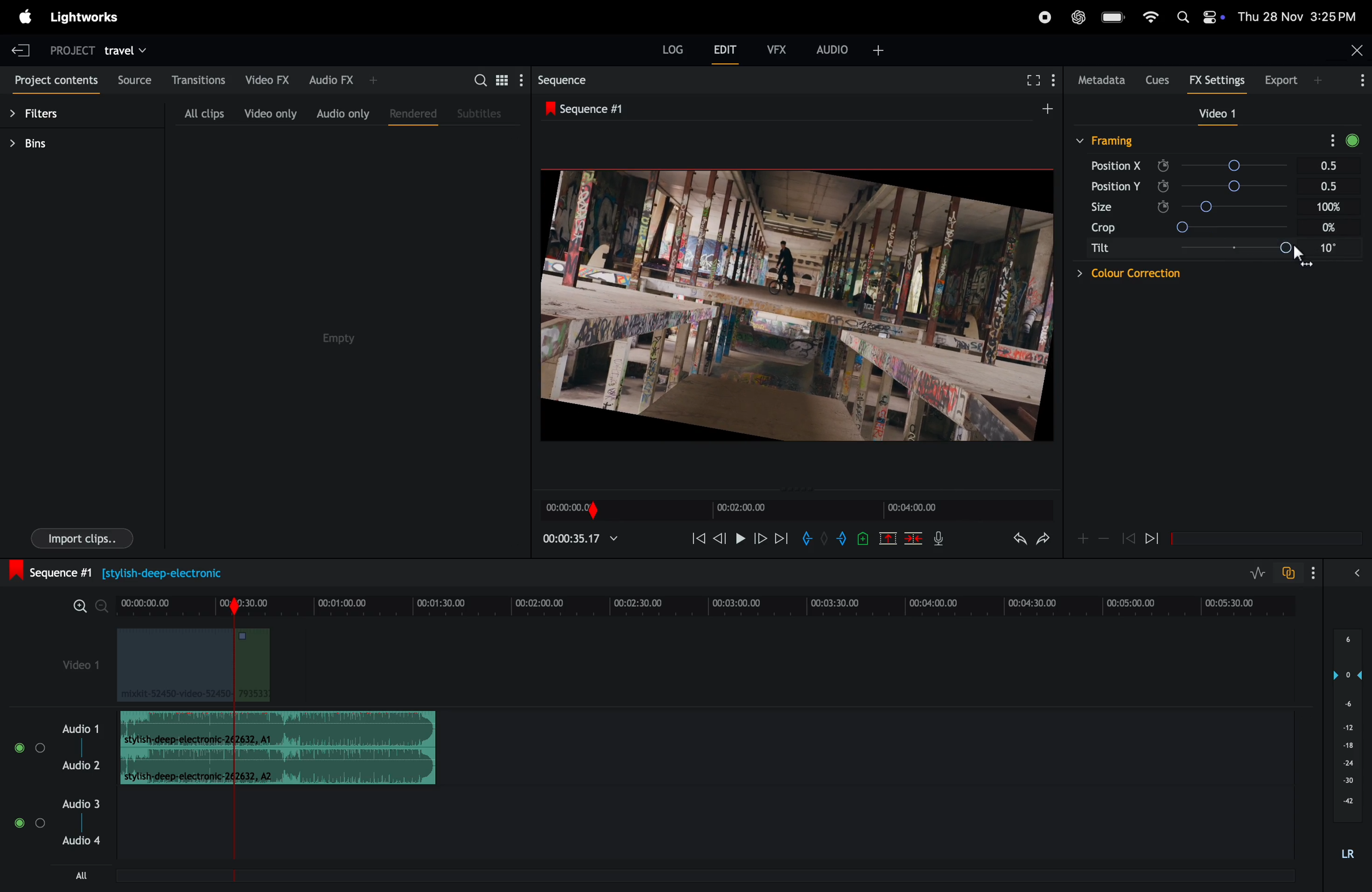 This screenshot has height=892, width=1372. I want to click on output frames, so click(798, 305).